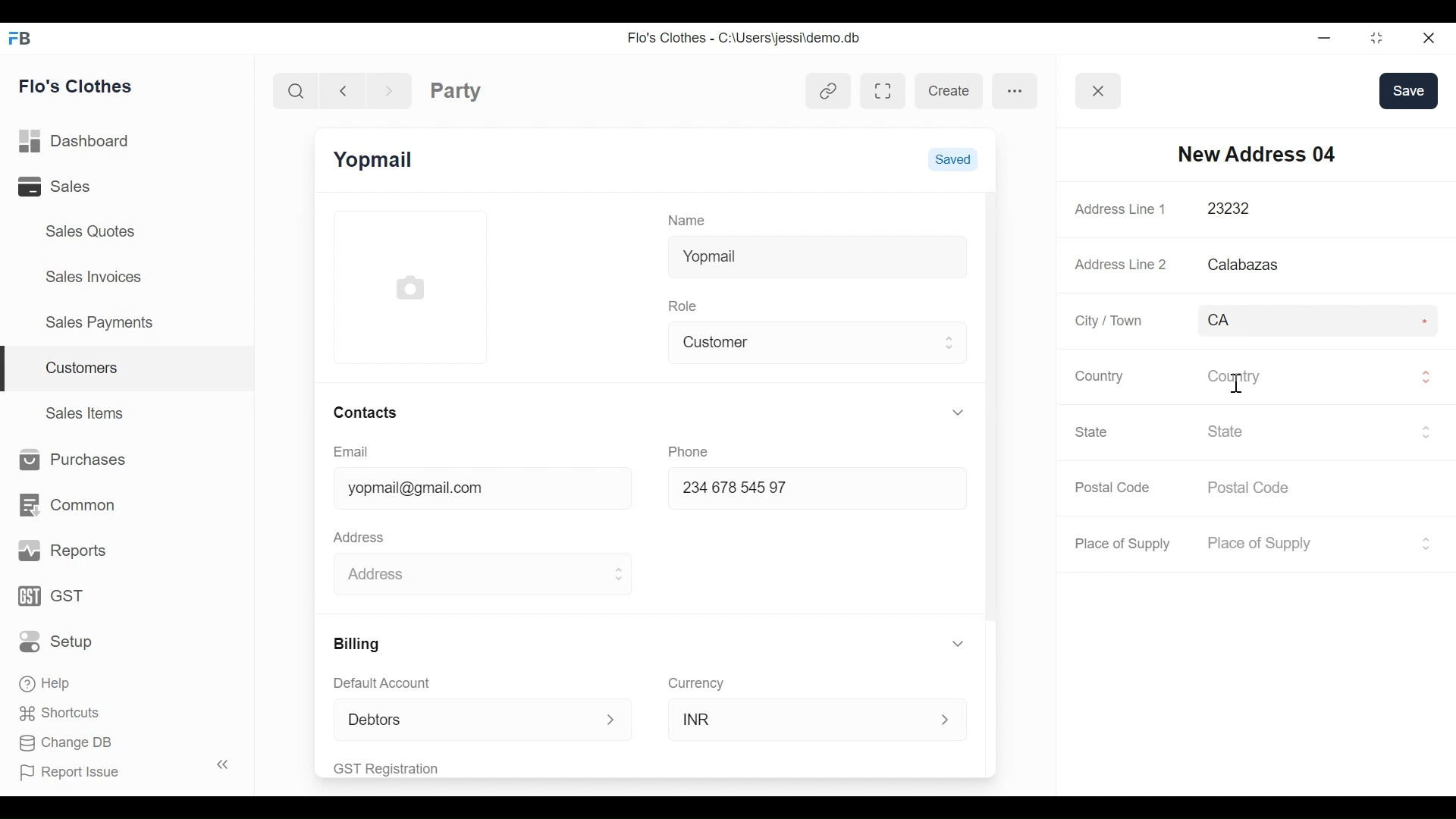 This screenshot has width=1456, height=819. What do you see at coordinates (1323, 37) in the screenshot?
I see `minimize` at bounding box center [1323, 37].